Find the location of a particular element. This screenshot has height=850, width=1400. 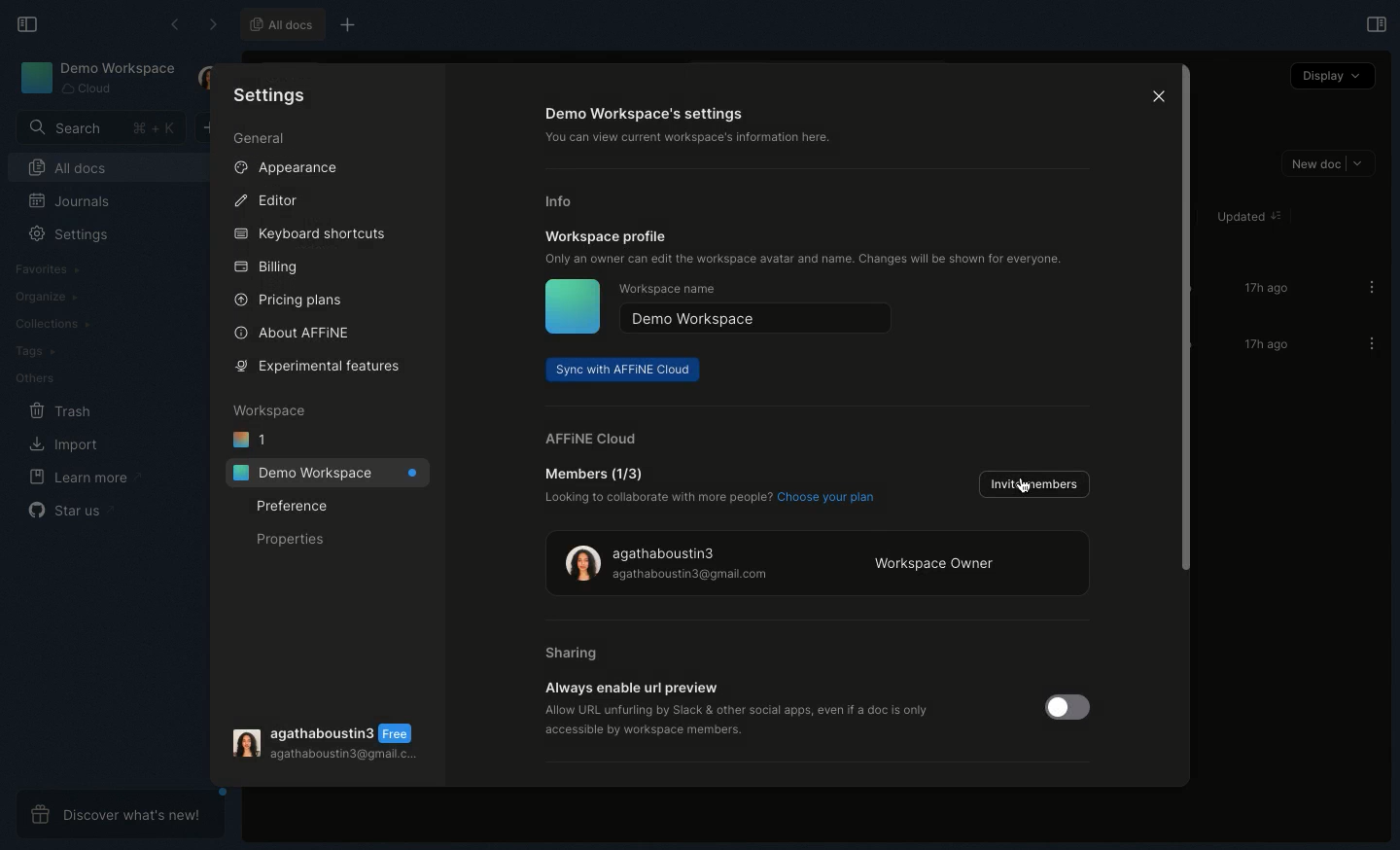

Member (1/3) is located at coordinates (593, 471).